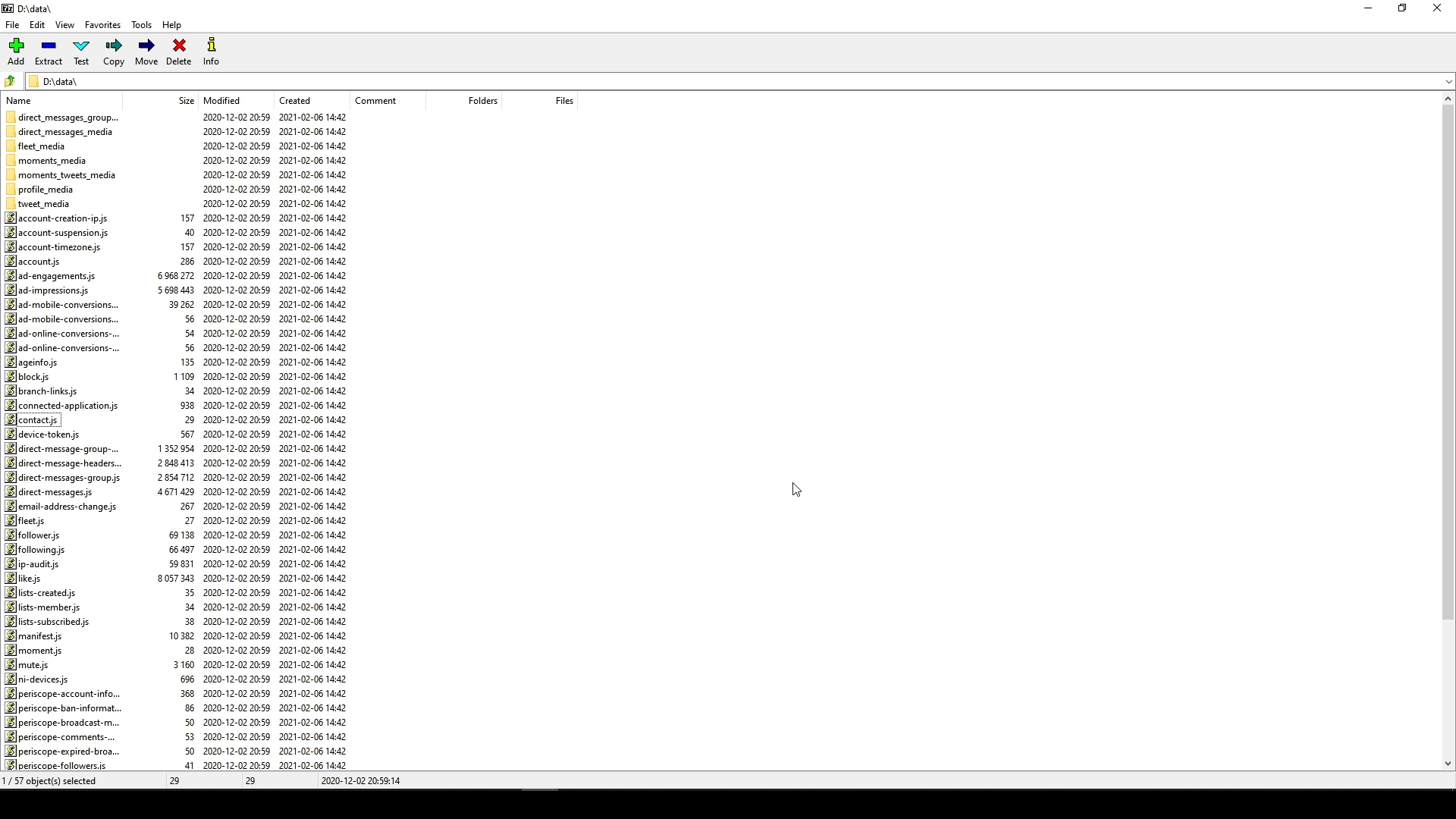 The image size is (1456, 819). I want to click on 0/57 objects selected, so click(64, 780).